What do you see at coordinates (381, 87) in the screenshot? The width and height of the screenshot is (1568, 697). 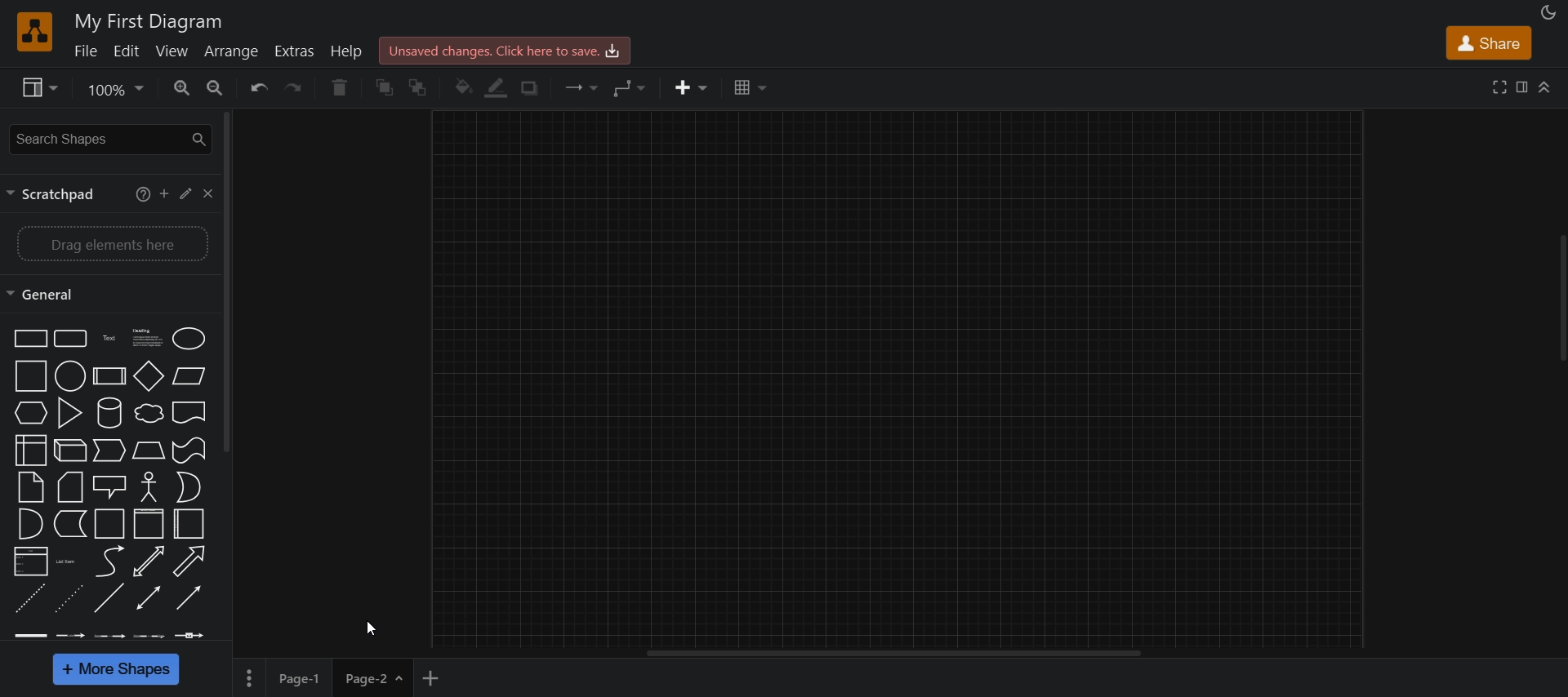 I see `to front` at bounding box center [381, 87].